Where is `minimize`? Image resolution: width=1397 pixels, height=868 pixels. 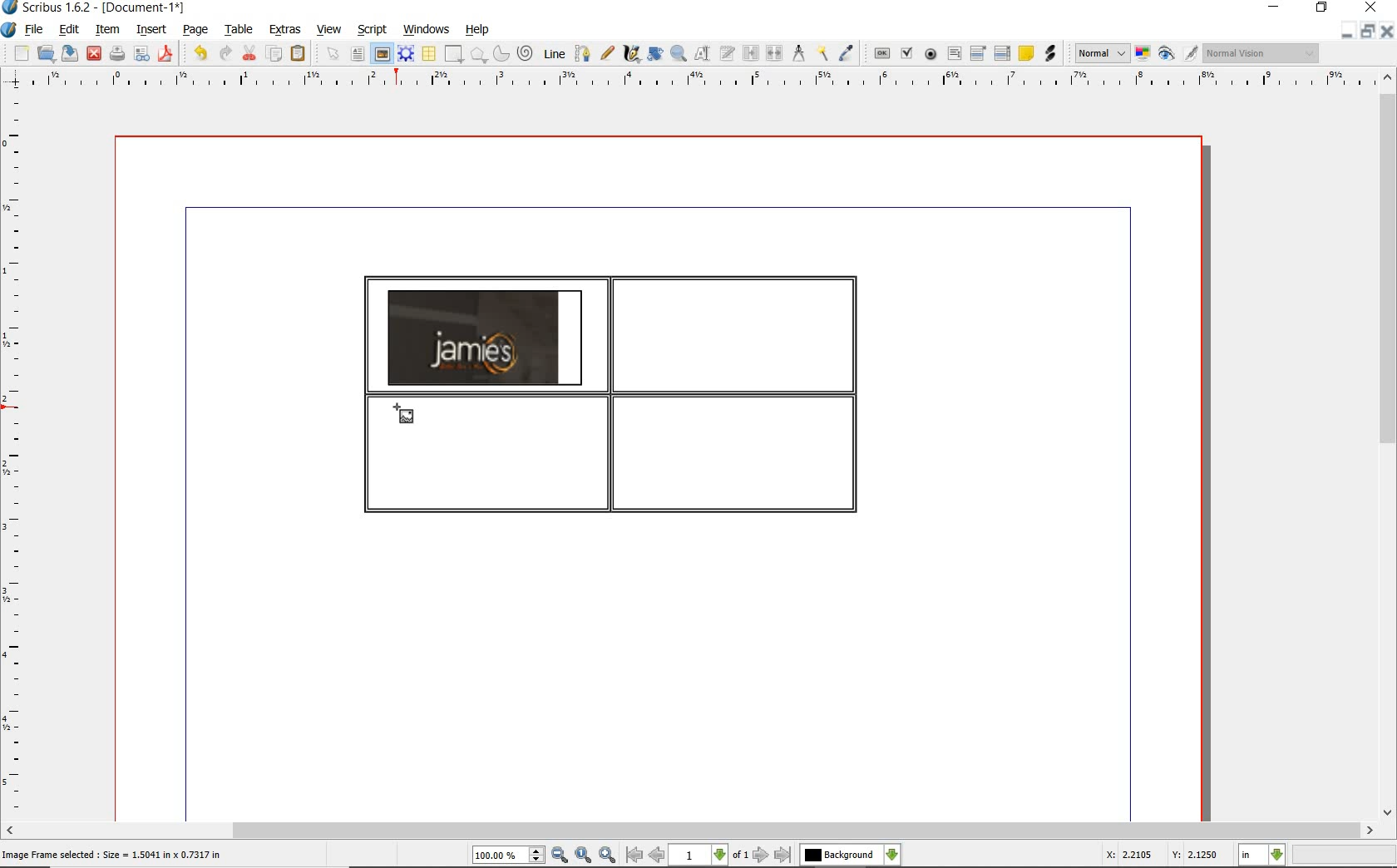
minimize is located at coordinates (1345, 32).